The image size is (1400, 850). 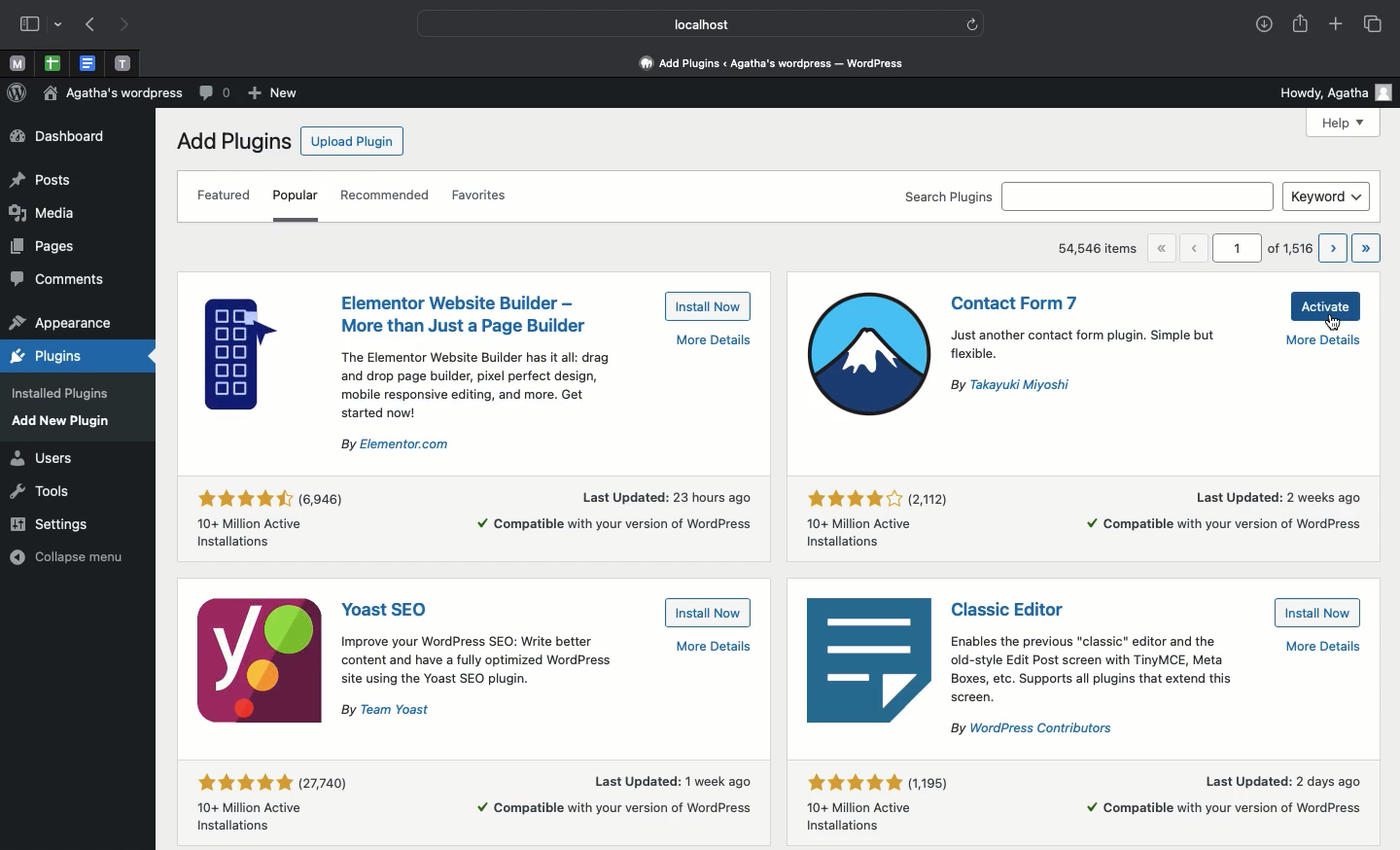 I want to click on collapse menu, so click(x=65, y=556).